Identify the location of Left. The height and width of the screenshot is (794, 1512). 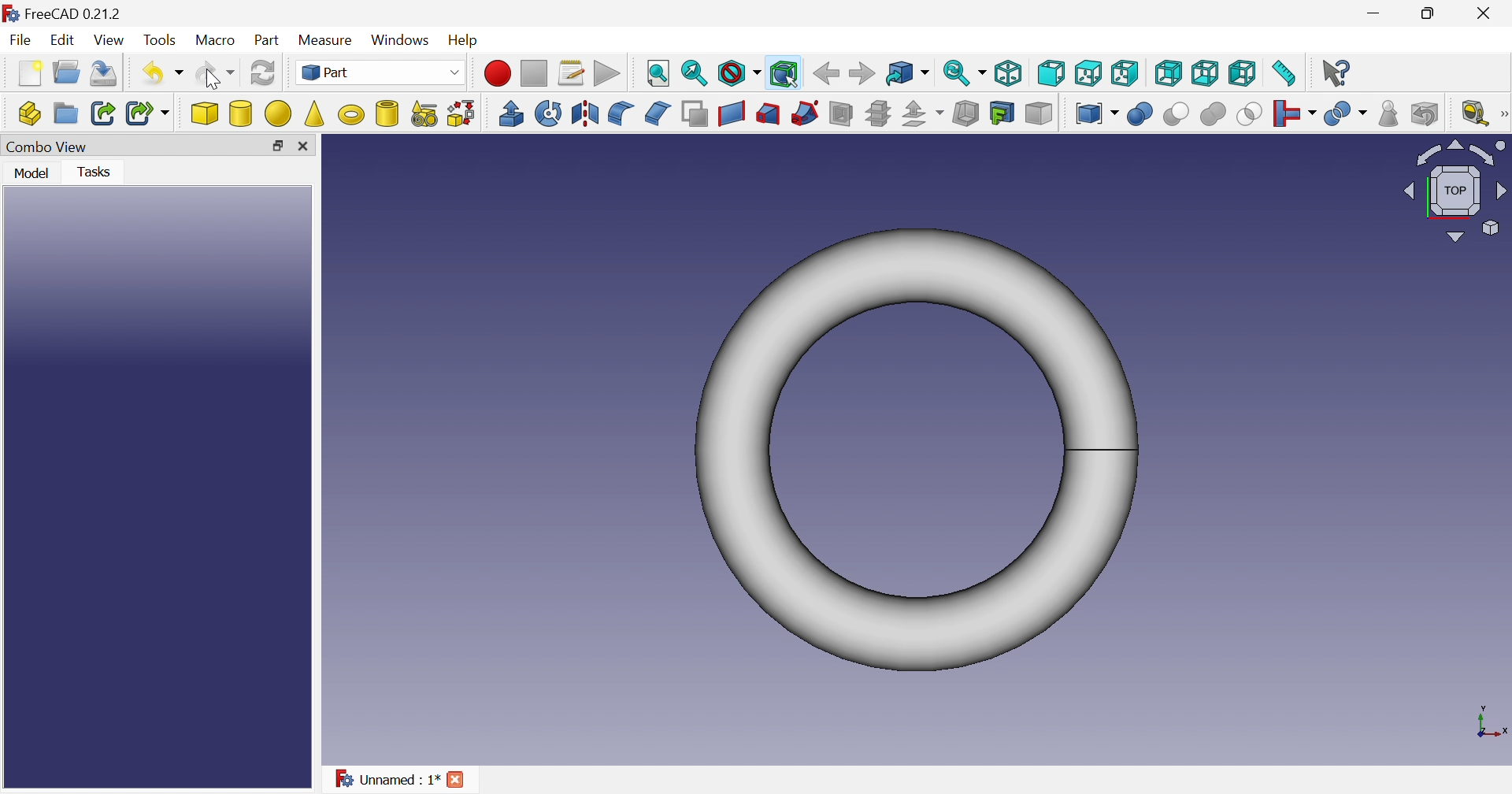
(1243, 74).